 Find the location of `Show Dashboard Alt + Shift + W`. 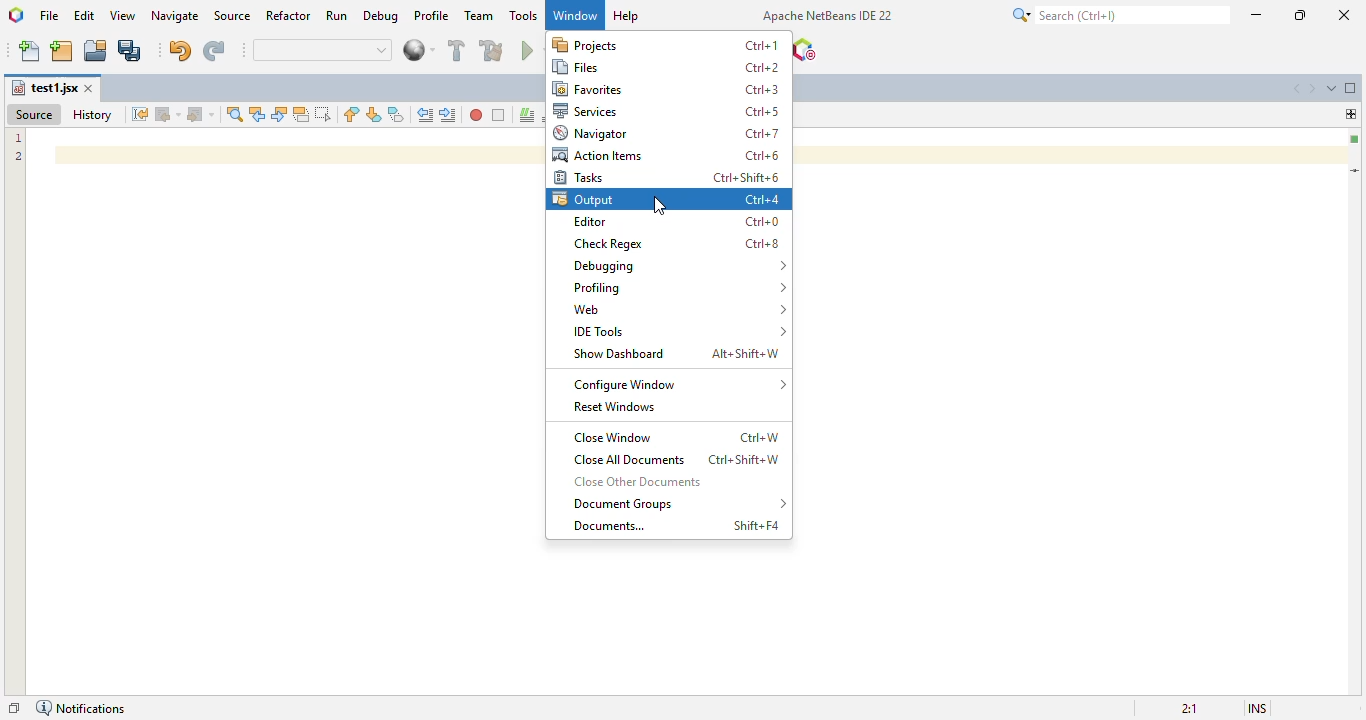

Show Dashboard Alt + Shift + W is located at coordinates (675, 352).